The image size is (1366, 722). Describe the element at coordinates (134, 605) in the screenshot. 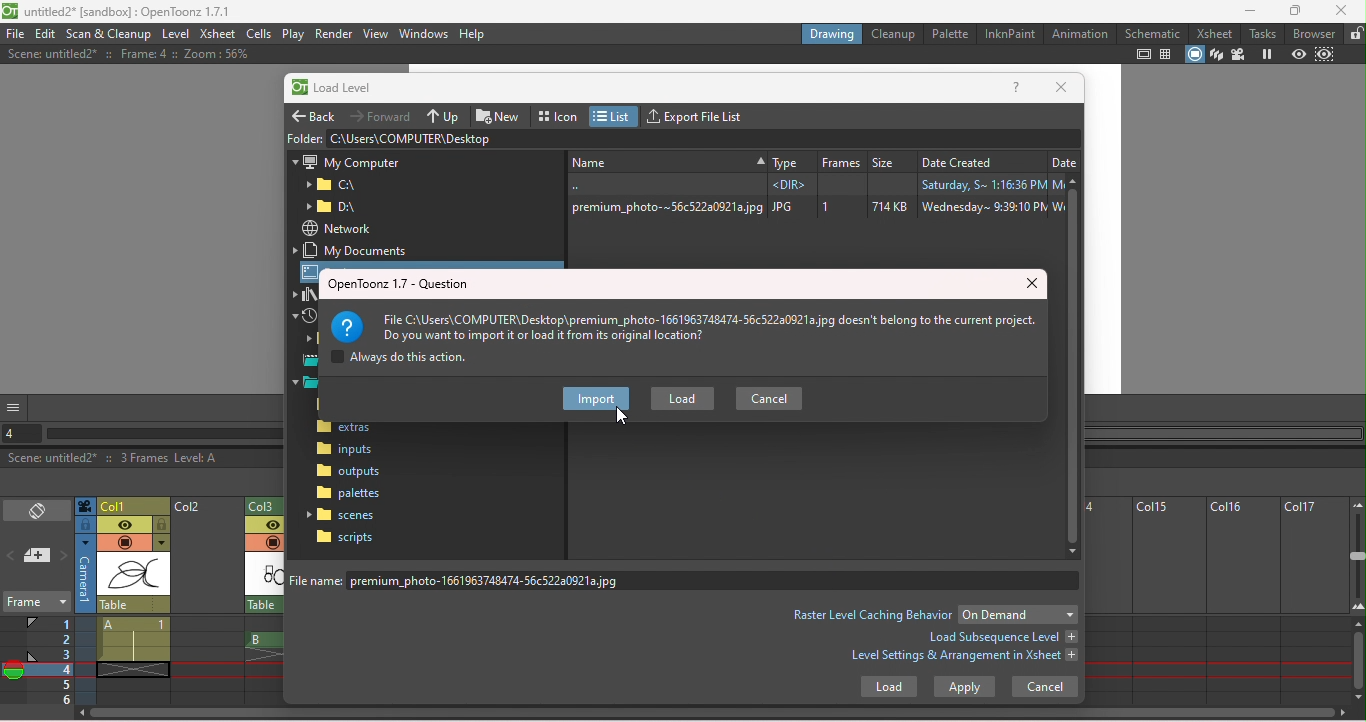

I see `click to select the parent object` at that location.